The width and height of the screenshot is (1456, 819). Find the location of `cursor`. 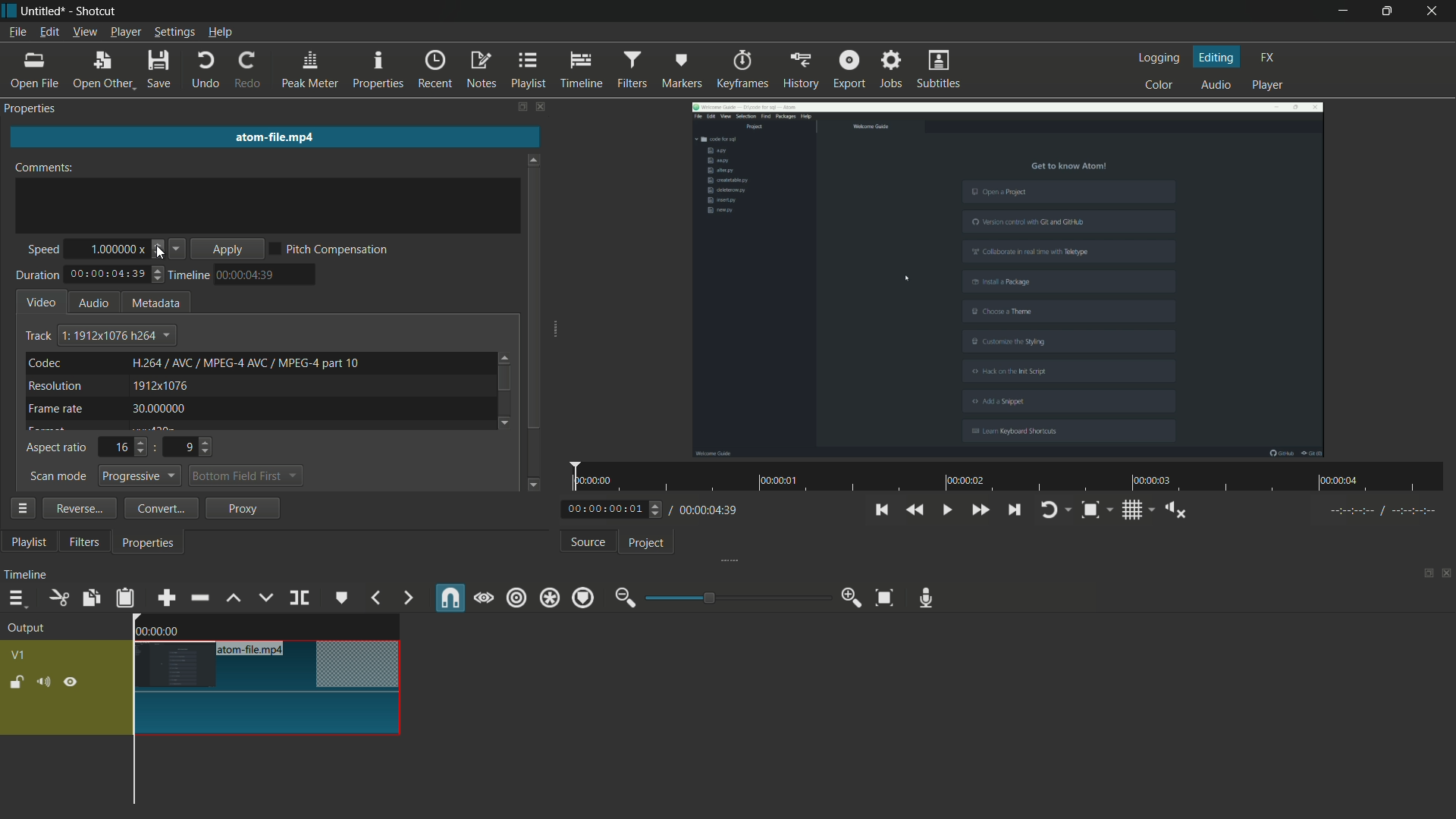

cursor is located at coordinates (356, 177).